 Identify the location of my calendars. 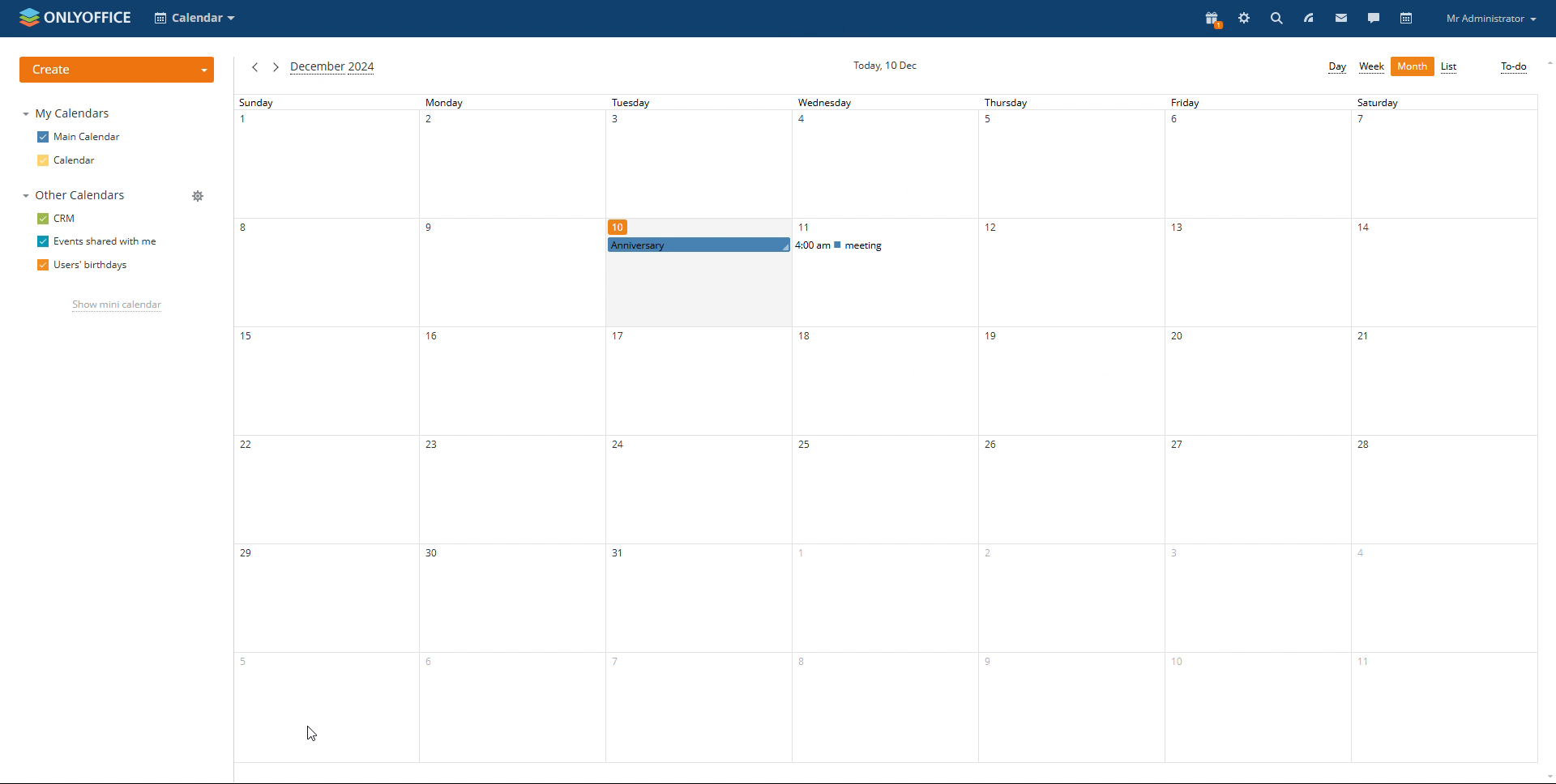
(68, 114).